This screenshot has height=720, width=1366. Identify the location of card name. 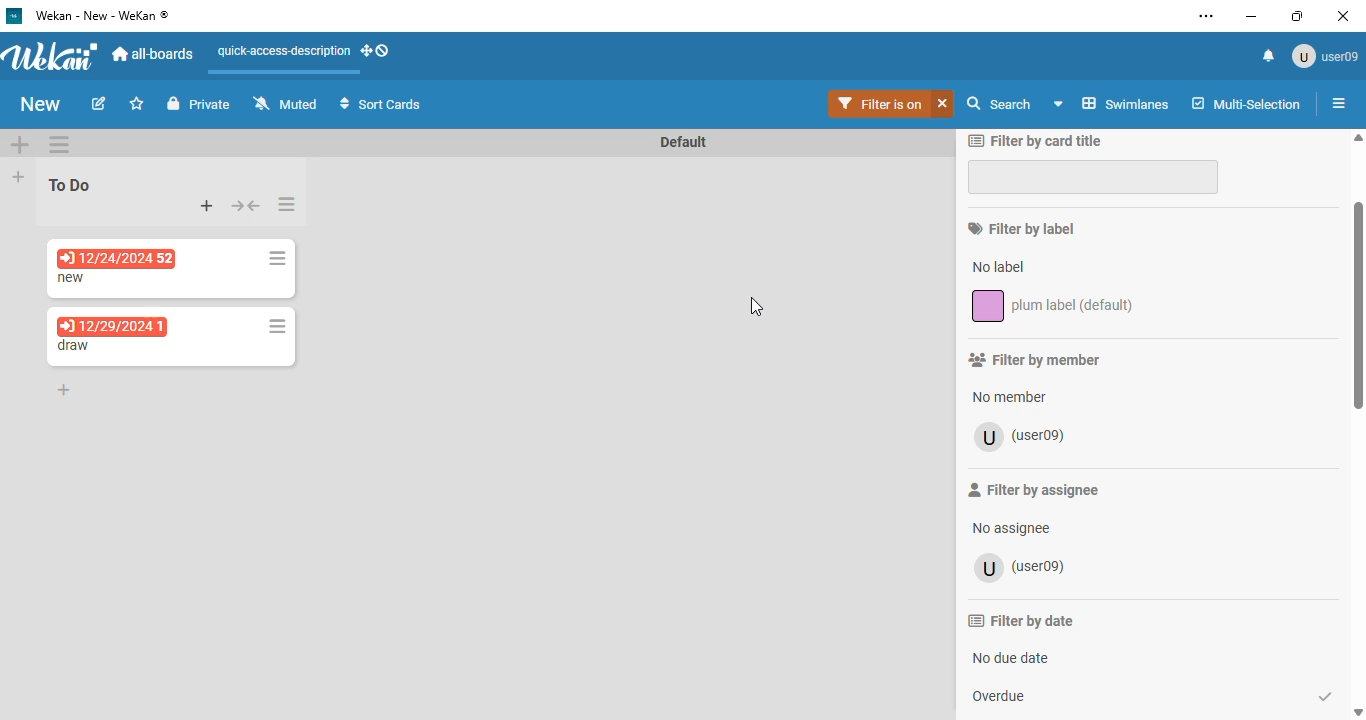
(73, 346).